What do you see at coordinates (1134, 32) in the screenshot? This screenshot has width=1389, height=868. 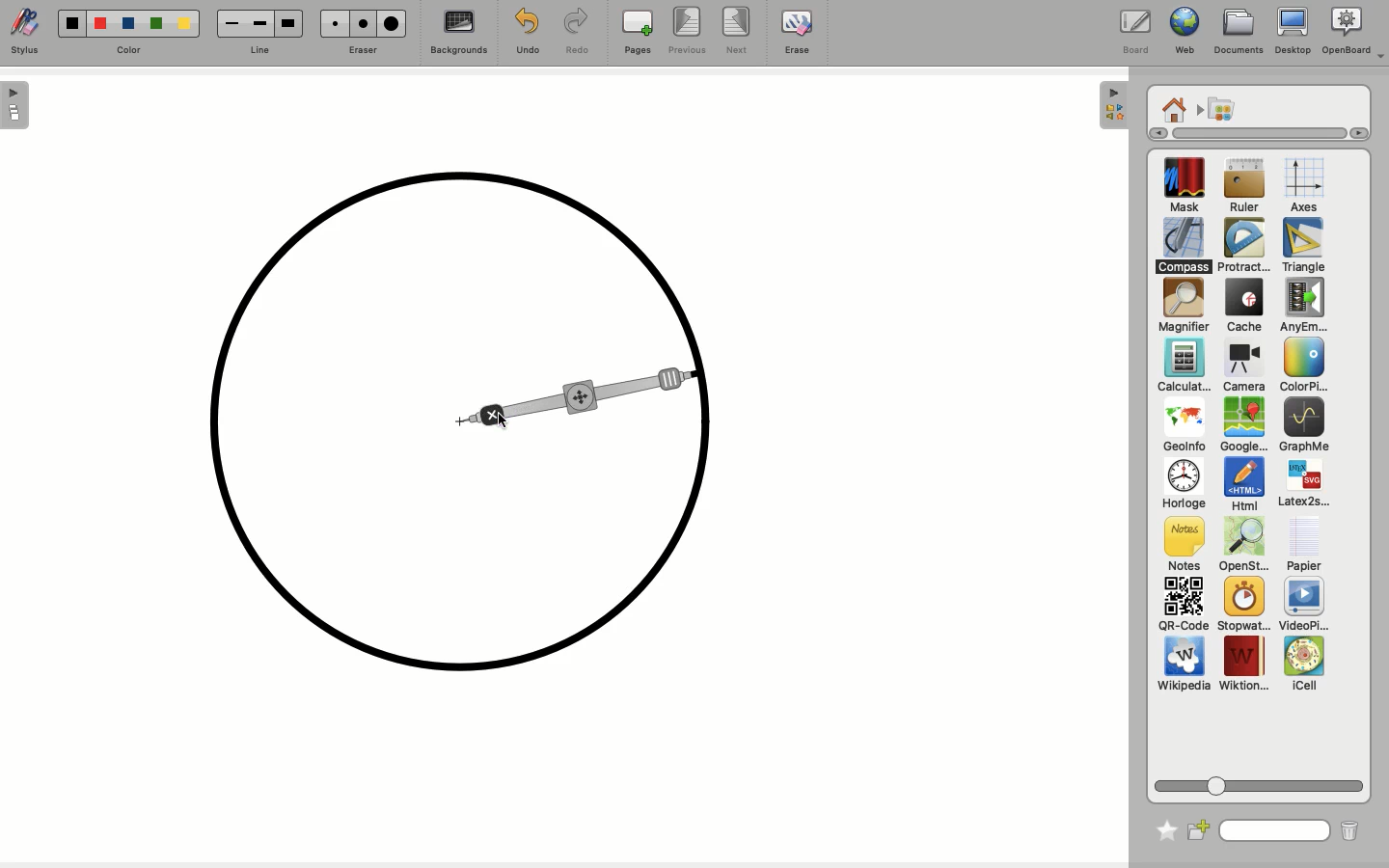 I see `Board` at bounding box center [1134, 32].